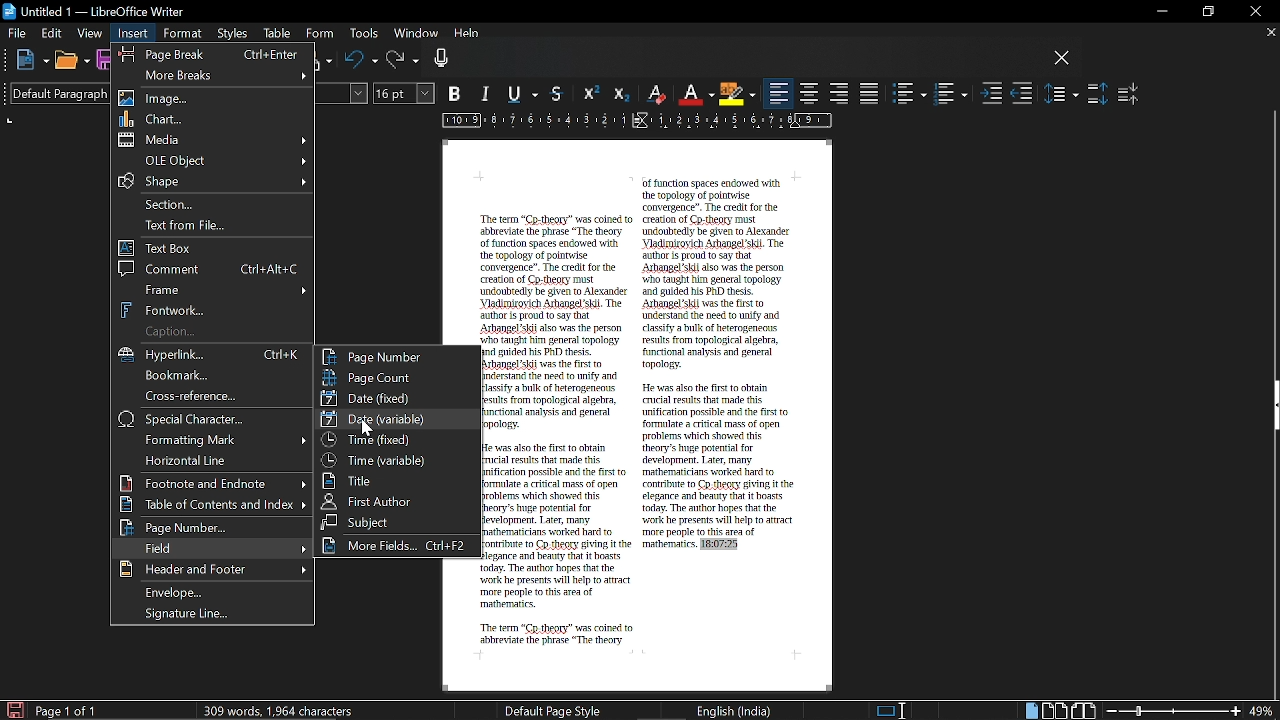 This screenshot has height=720, width=1280. I want to click on Single page view, so click(1030, 711).